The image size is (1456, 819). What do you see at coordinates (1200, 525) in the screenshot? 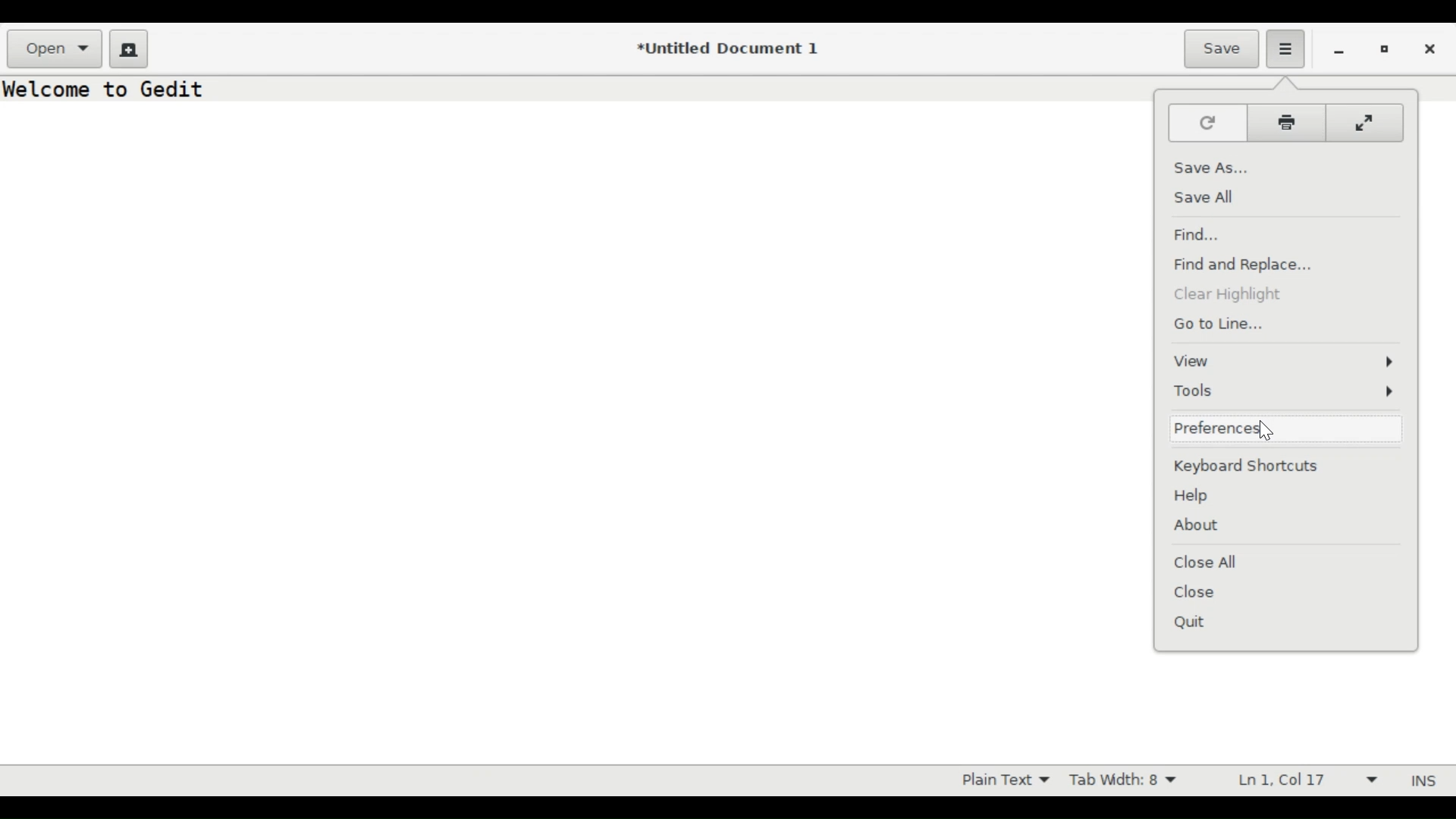
I see `About` at bounding box center [1200, 525].